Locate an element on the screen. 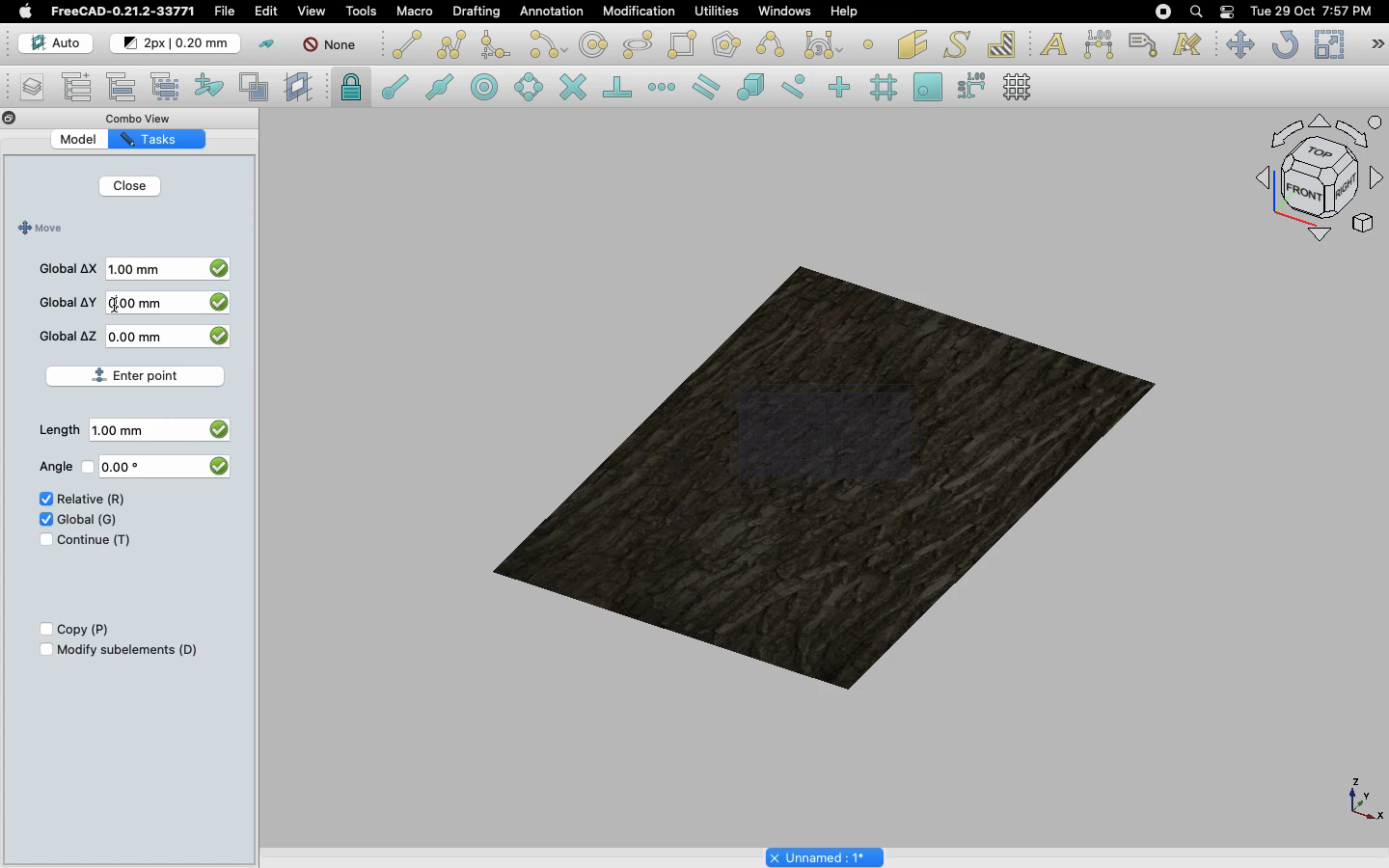 This screenshot has width=1389, height=868. Collapse is located at coordinates (28, 119).